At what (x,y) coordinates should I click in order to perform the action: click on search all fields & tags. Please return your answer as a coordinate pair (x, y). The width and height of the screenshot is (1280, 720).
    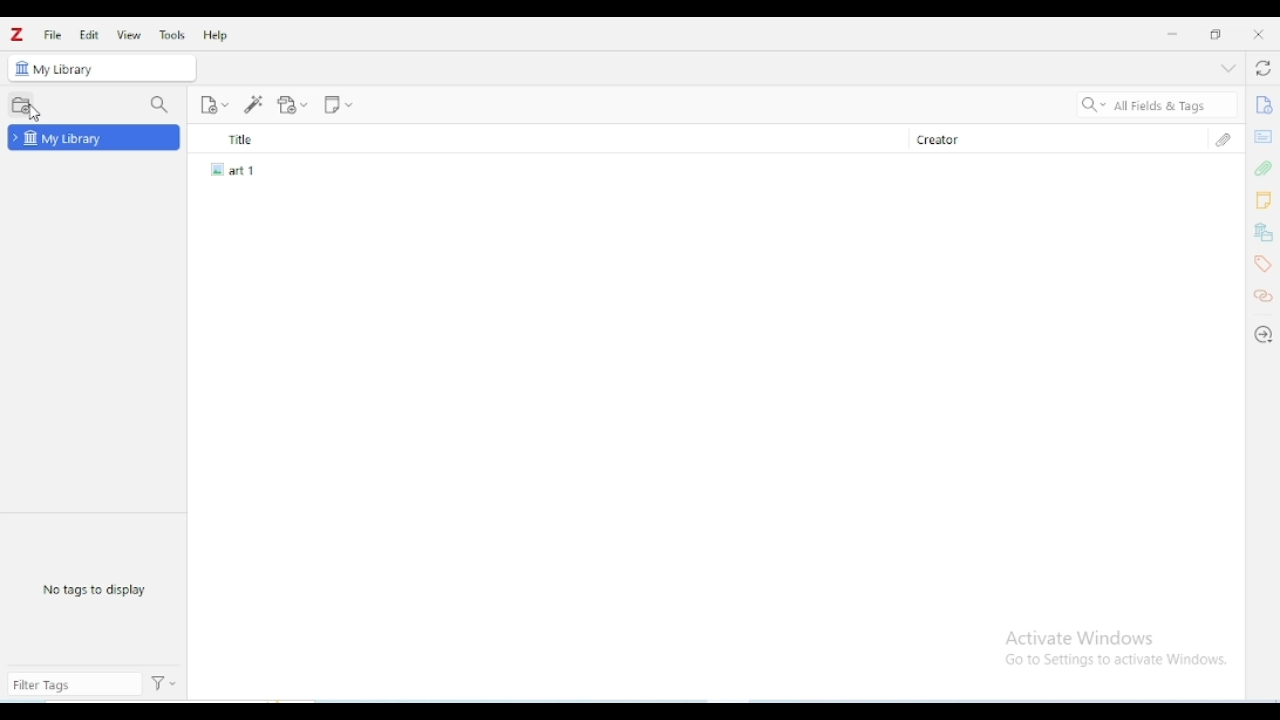
    Looking at the image, I should click on (1154, 106).